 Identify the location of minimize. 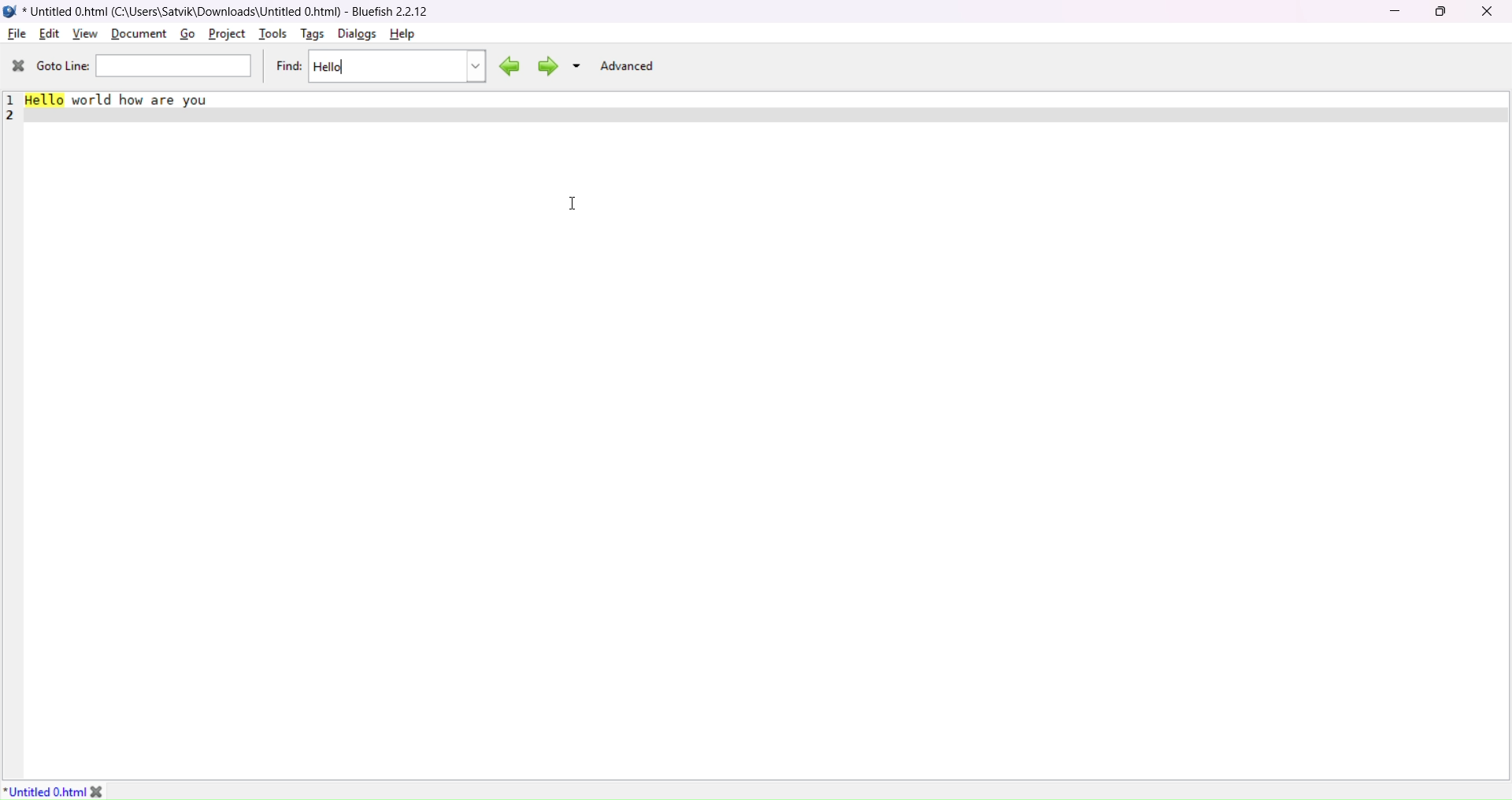
(1393, 12).